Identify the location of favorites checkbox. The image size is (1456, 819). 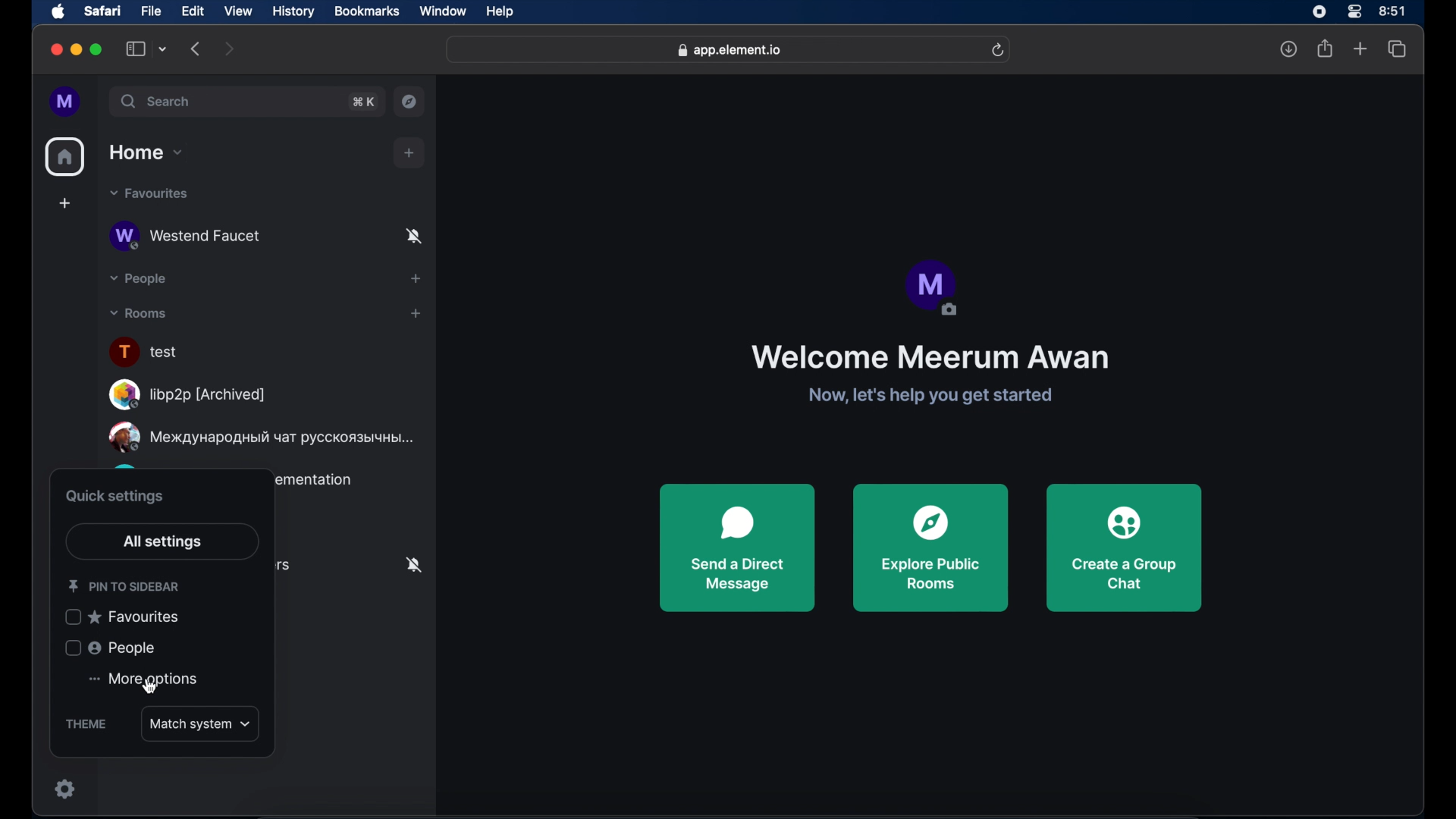
(124, 617).